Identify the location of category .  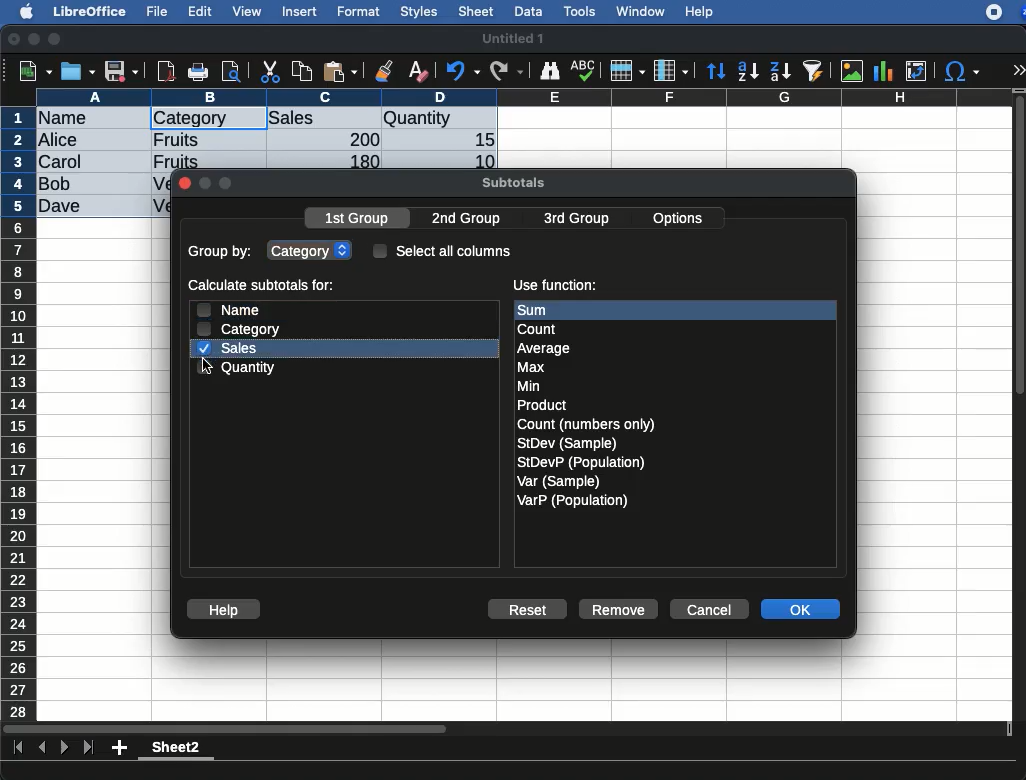
(240, 329).